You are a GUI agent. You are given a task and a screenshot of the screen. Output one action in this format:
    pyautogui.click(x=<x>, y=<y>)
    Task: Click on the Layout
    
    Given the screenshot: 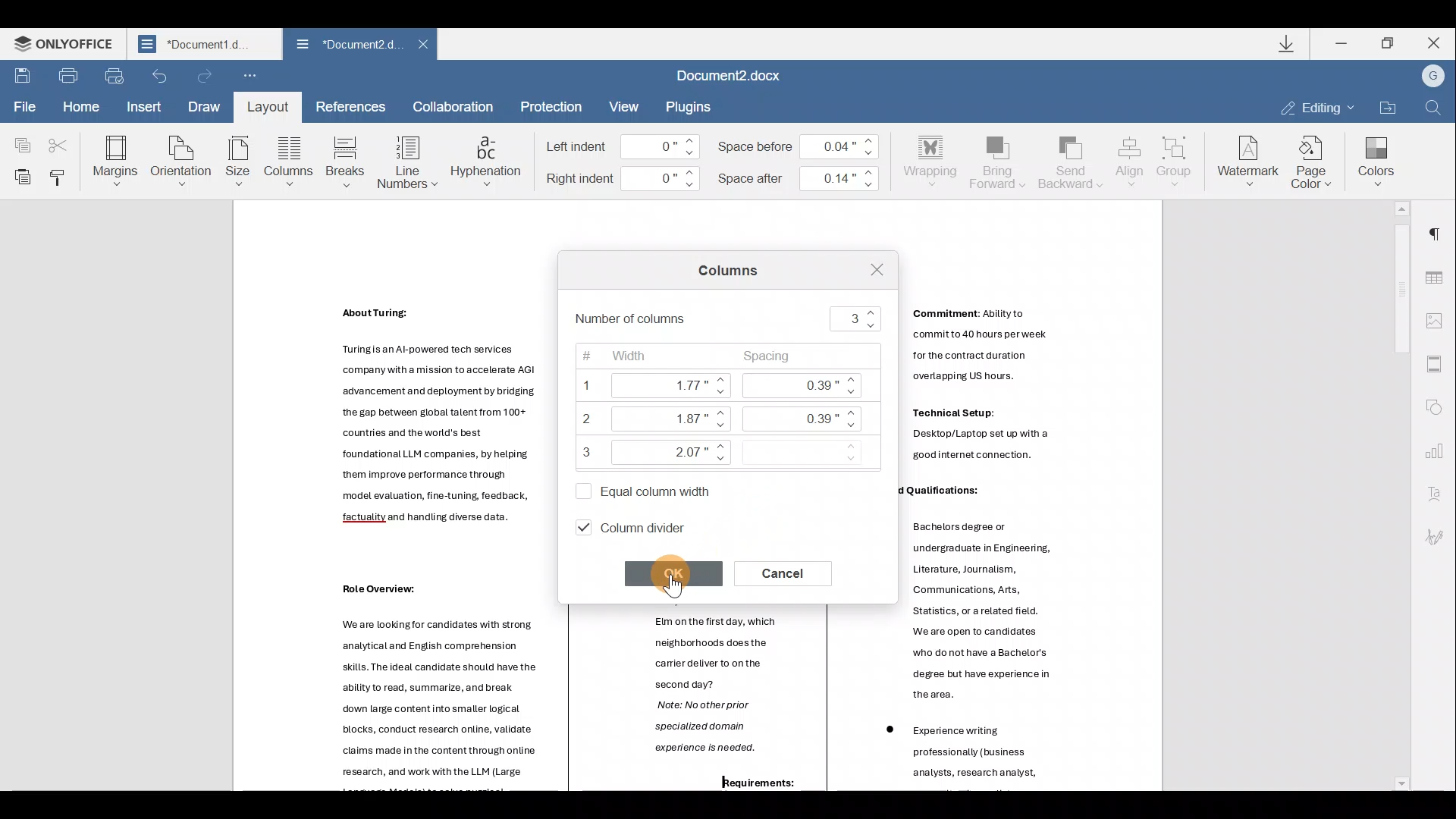 What is the action you would take?
    pyautogui.click(x=267, y=106)
    